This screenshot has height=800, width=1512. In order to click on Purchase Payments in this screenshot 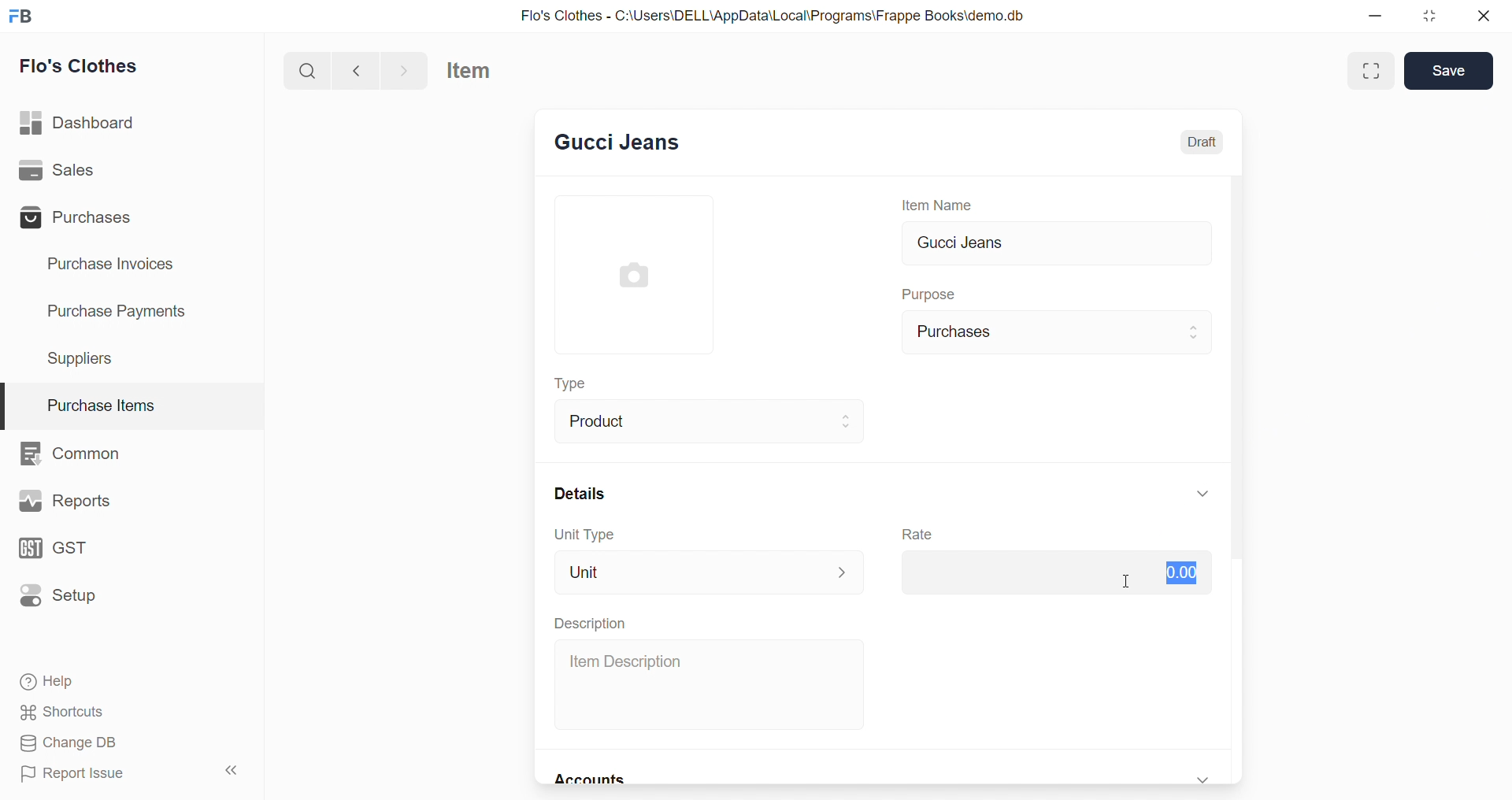, I will do `click(122, 312)`.